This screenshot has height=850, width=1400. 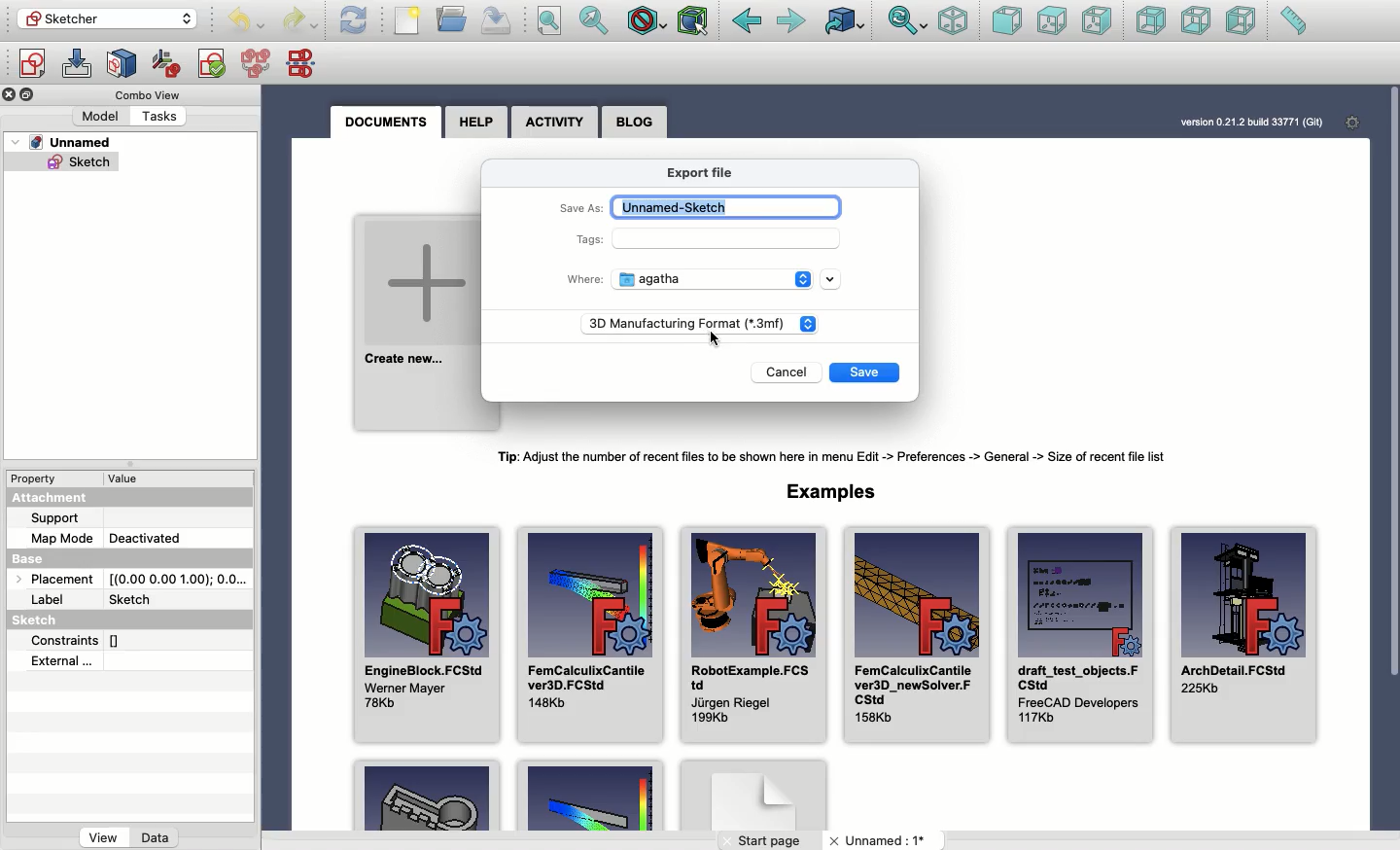 I want to click on Back, so click(x=747, y=21).